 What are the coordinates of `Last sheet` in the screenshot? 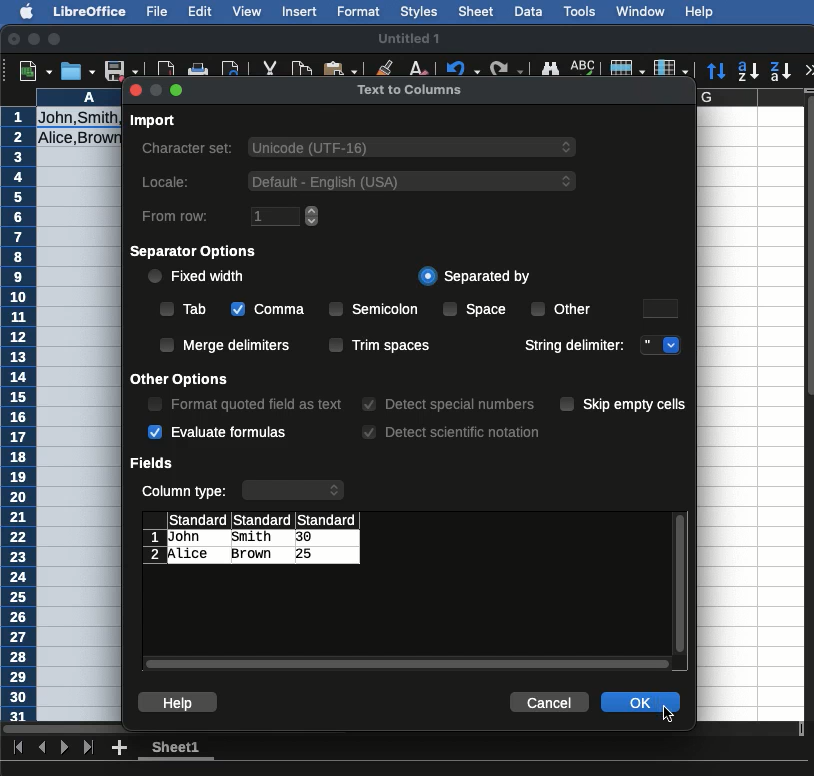 It's located at (88, 748).